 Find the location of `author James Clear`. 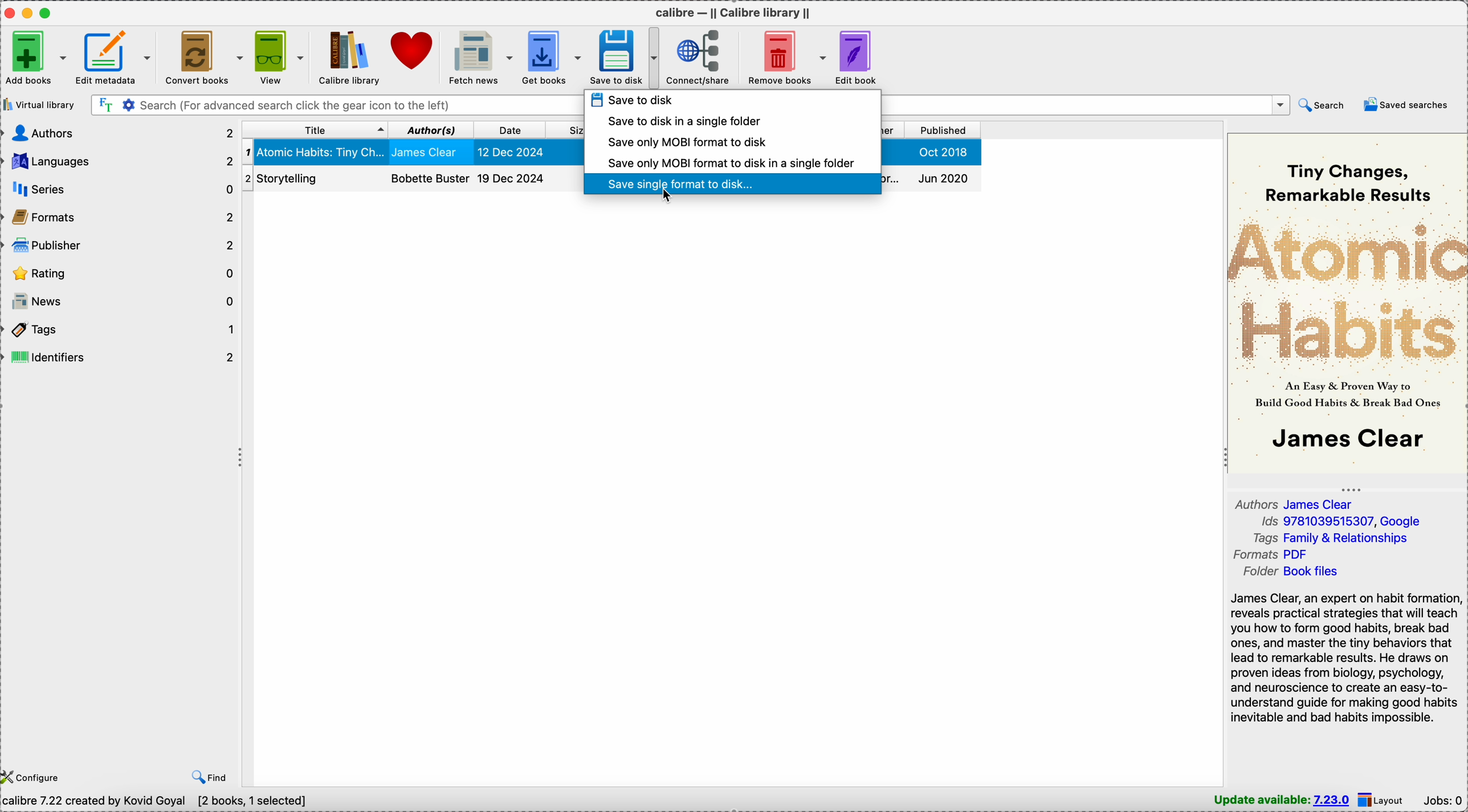

author James Clear is located at coordinates (1294, 503).